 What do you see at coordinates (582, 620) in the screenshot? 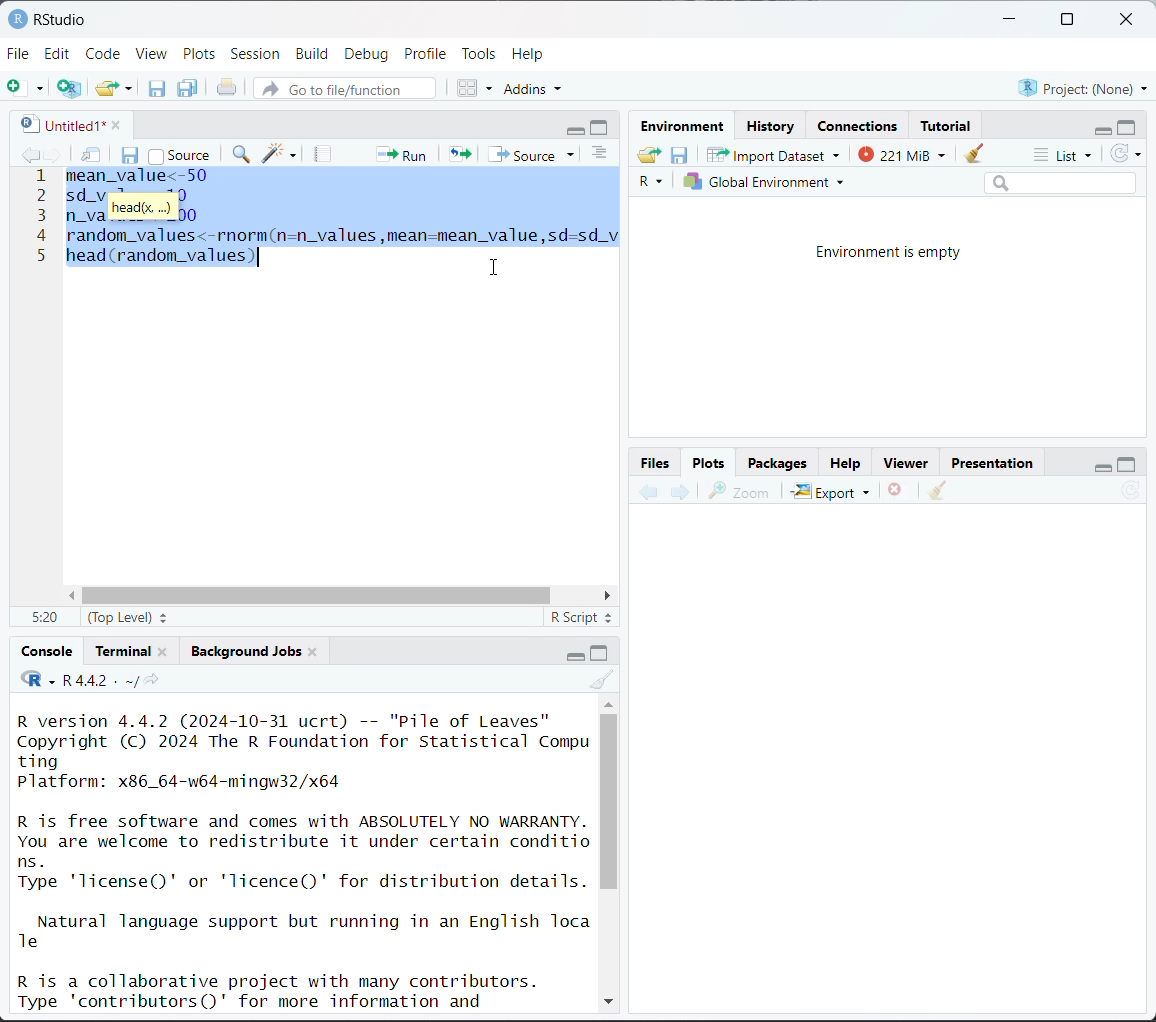
I see `R script` at bounding box center [582, 620].